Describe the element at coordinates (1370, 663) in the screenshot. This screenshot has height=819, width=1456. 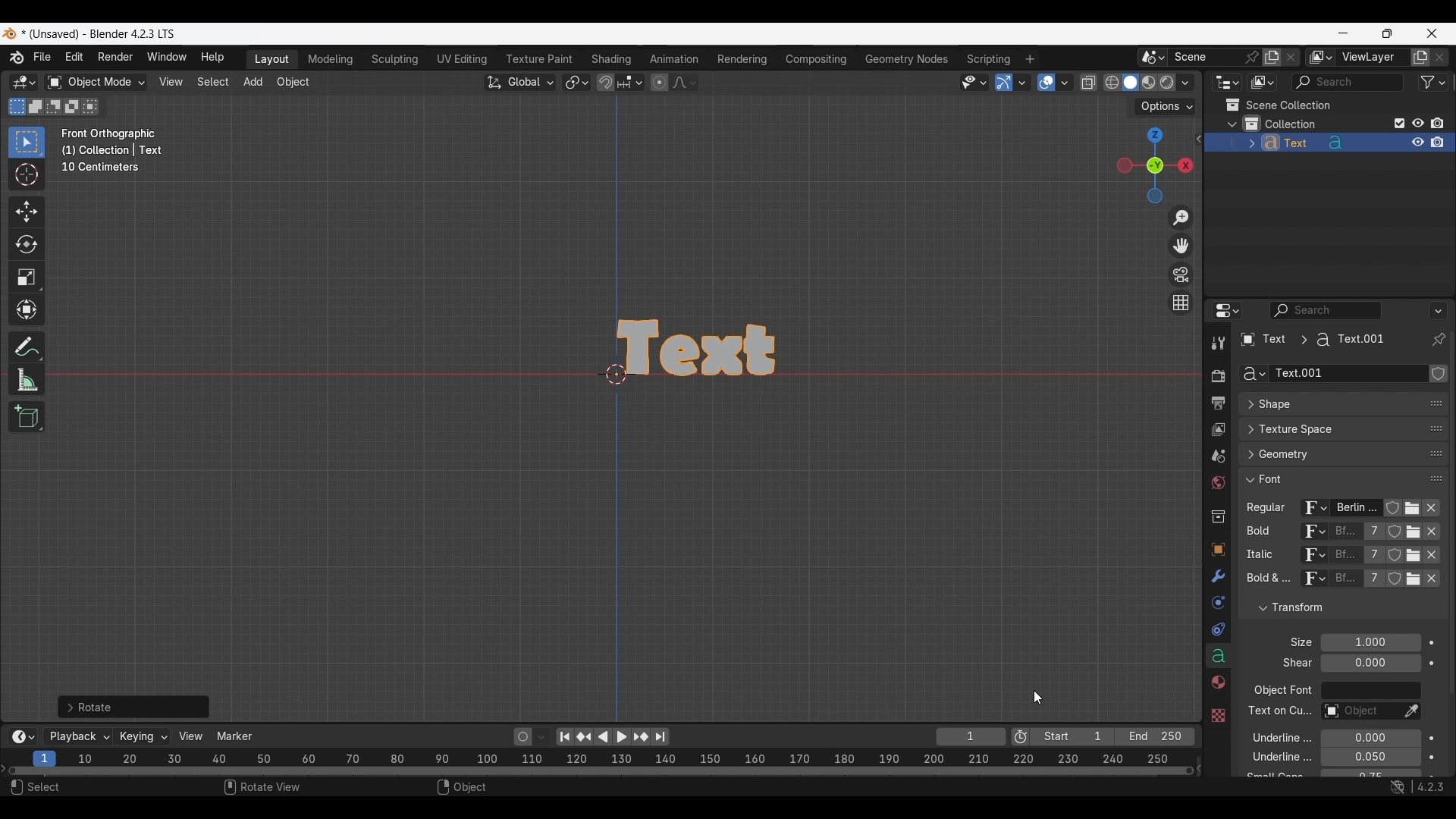
I see `Shear` at that location.